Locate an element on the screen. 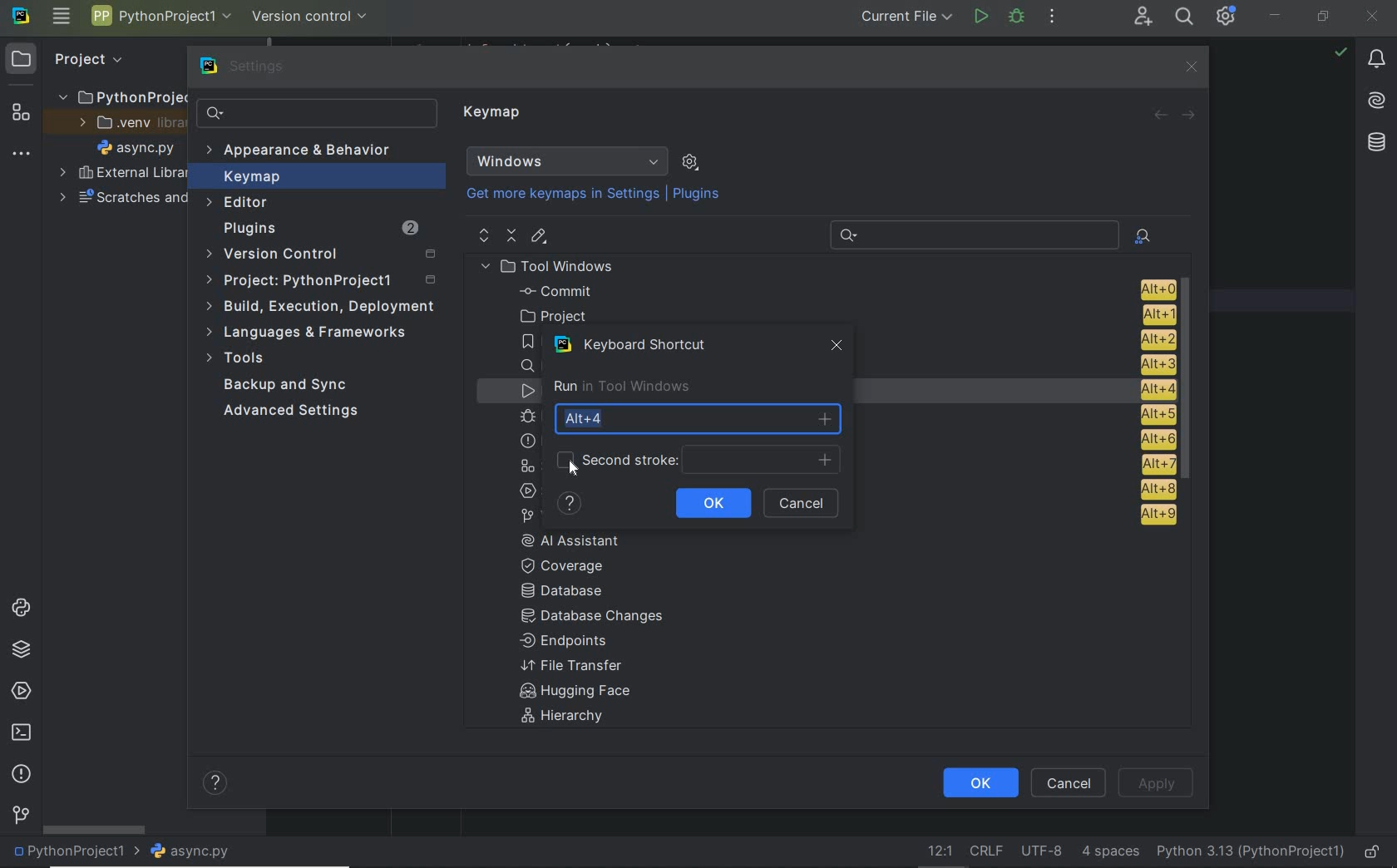 The height and width of the screenshot is (868, 1397). project is located at coordinates (842, 315).